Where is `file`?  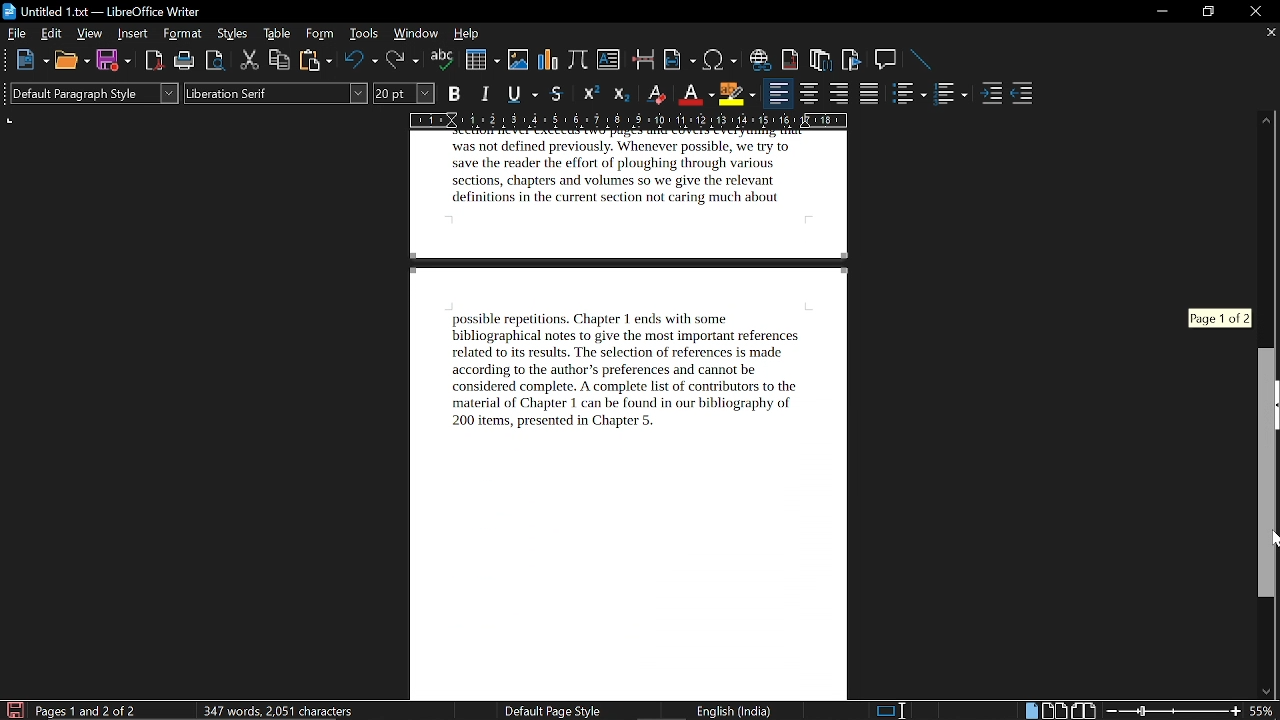 file is located at coordinates (16, 34).